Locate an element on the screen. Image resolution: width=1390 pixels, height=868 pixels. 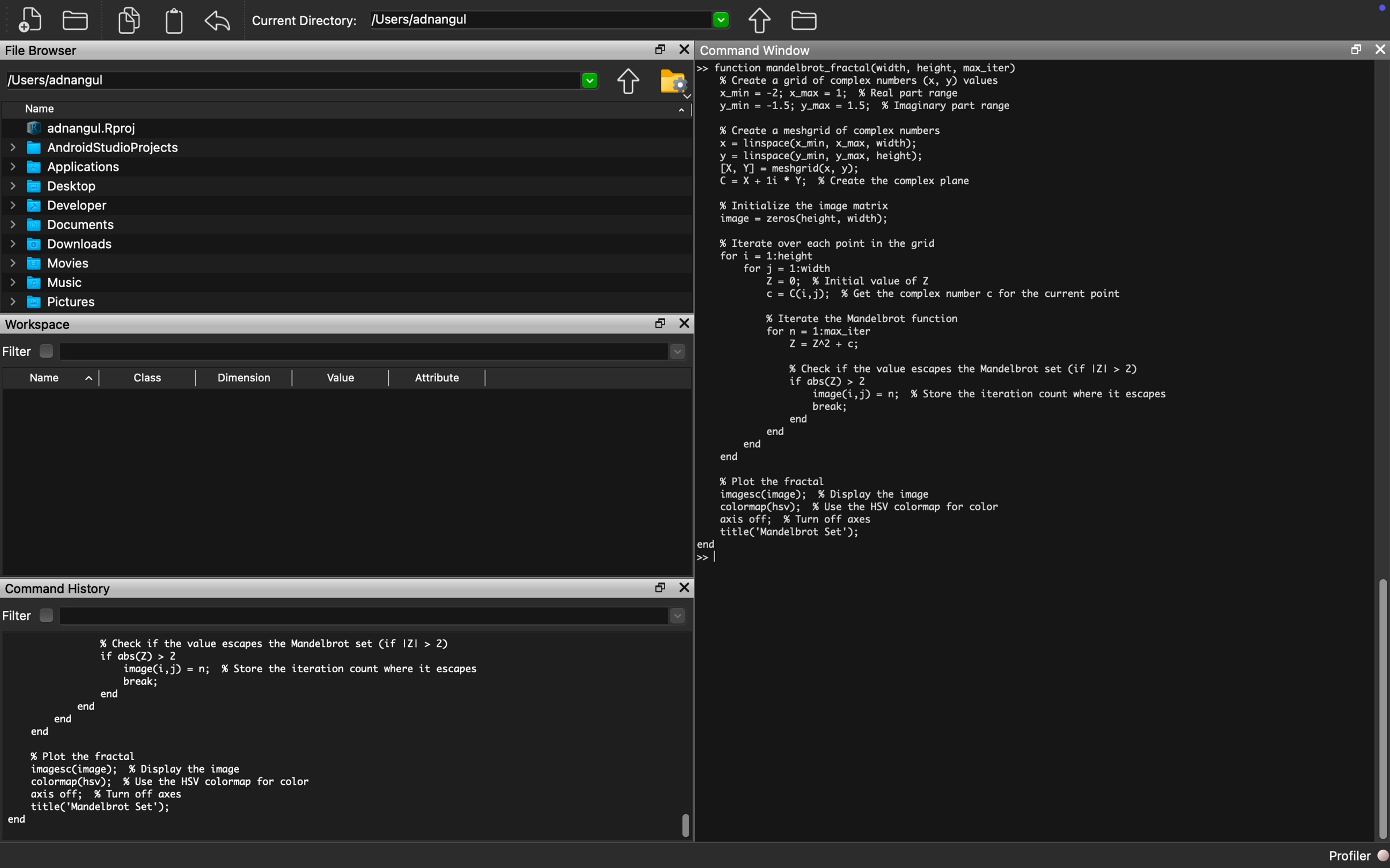
Command Window is located at coordinates (760, 51).